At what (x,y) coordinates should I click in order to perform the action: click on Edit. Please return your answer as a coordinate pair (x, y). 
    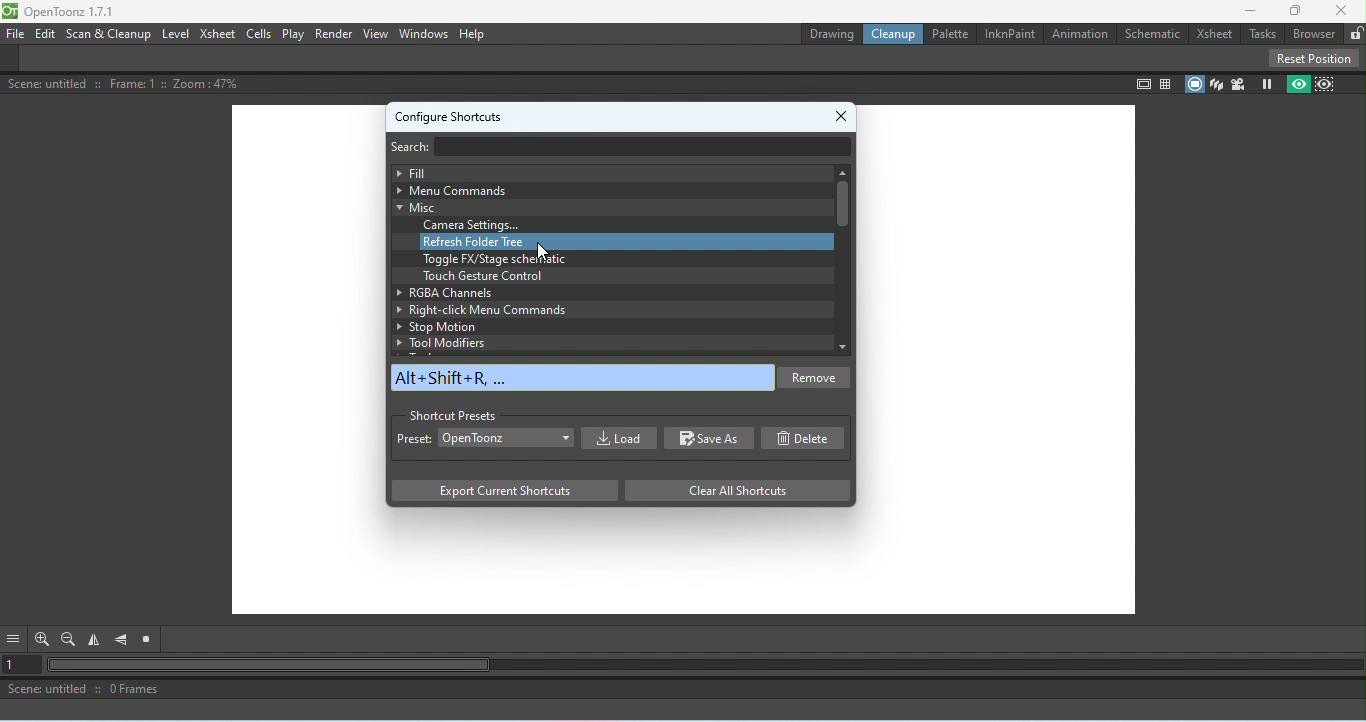
    Looking at the image, I should click on (44, 34).